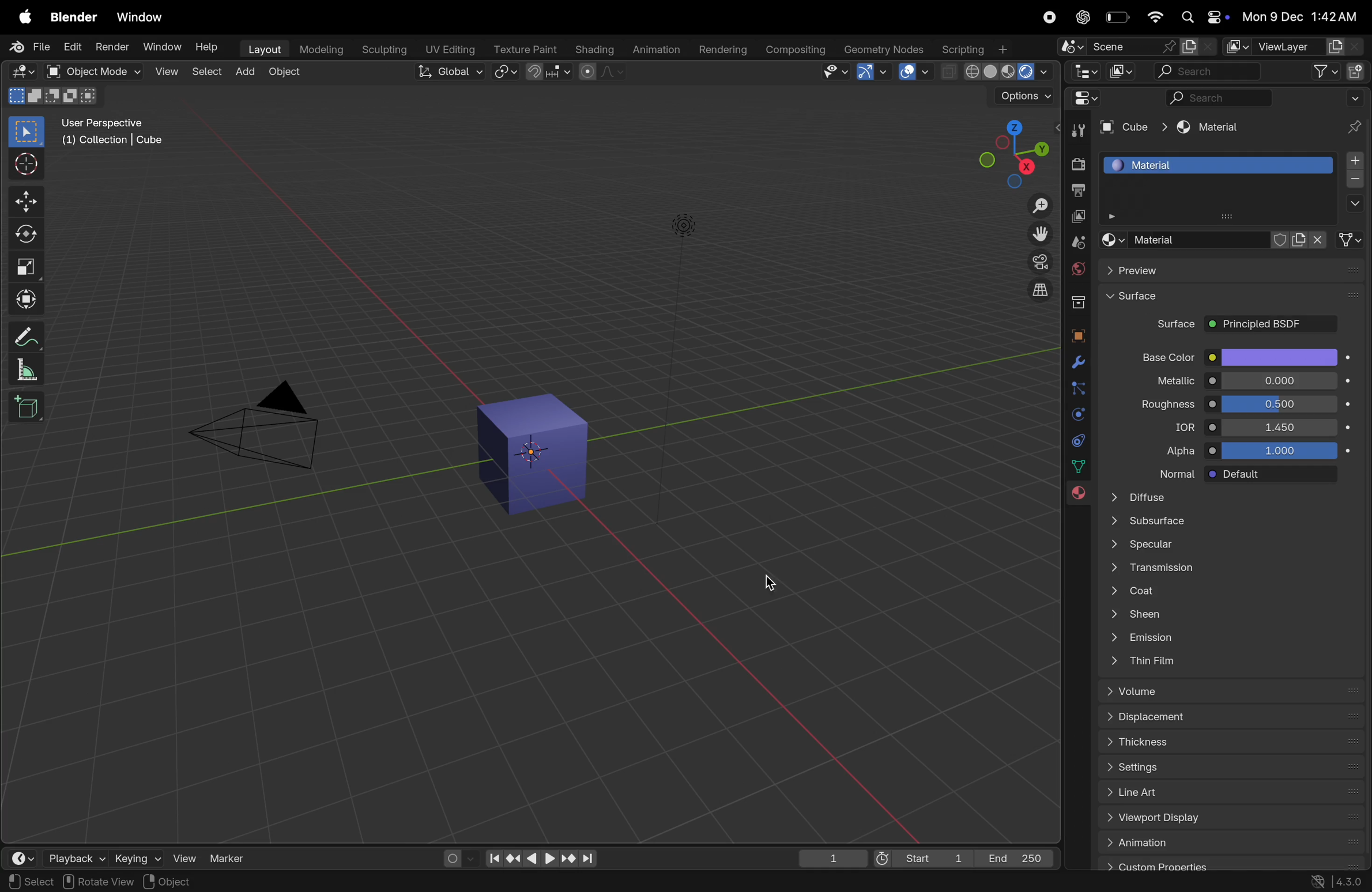 Image resolution: width=1372 pixels, height=892 pixels. I want to click on composting, so click(796, 50).